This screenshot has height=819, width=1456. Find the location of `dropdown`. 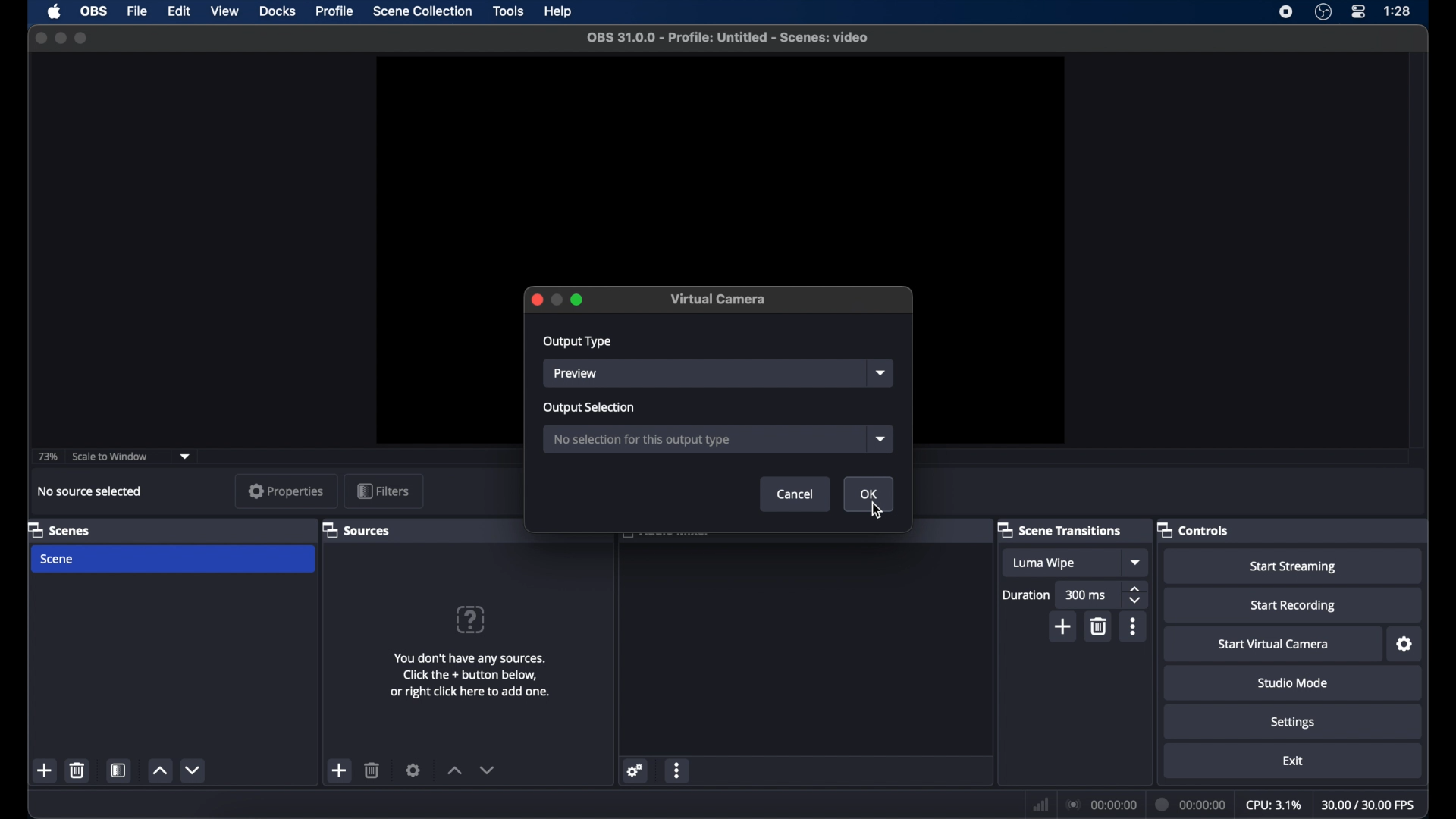

dropdown is located at coordinates (185, 457).